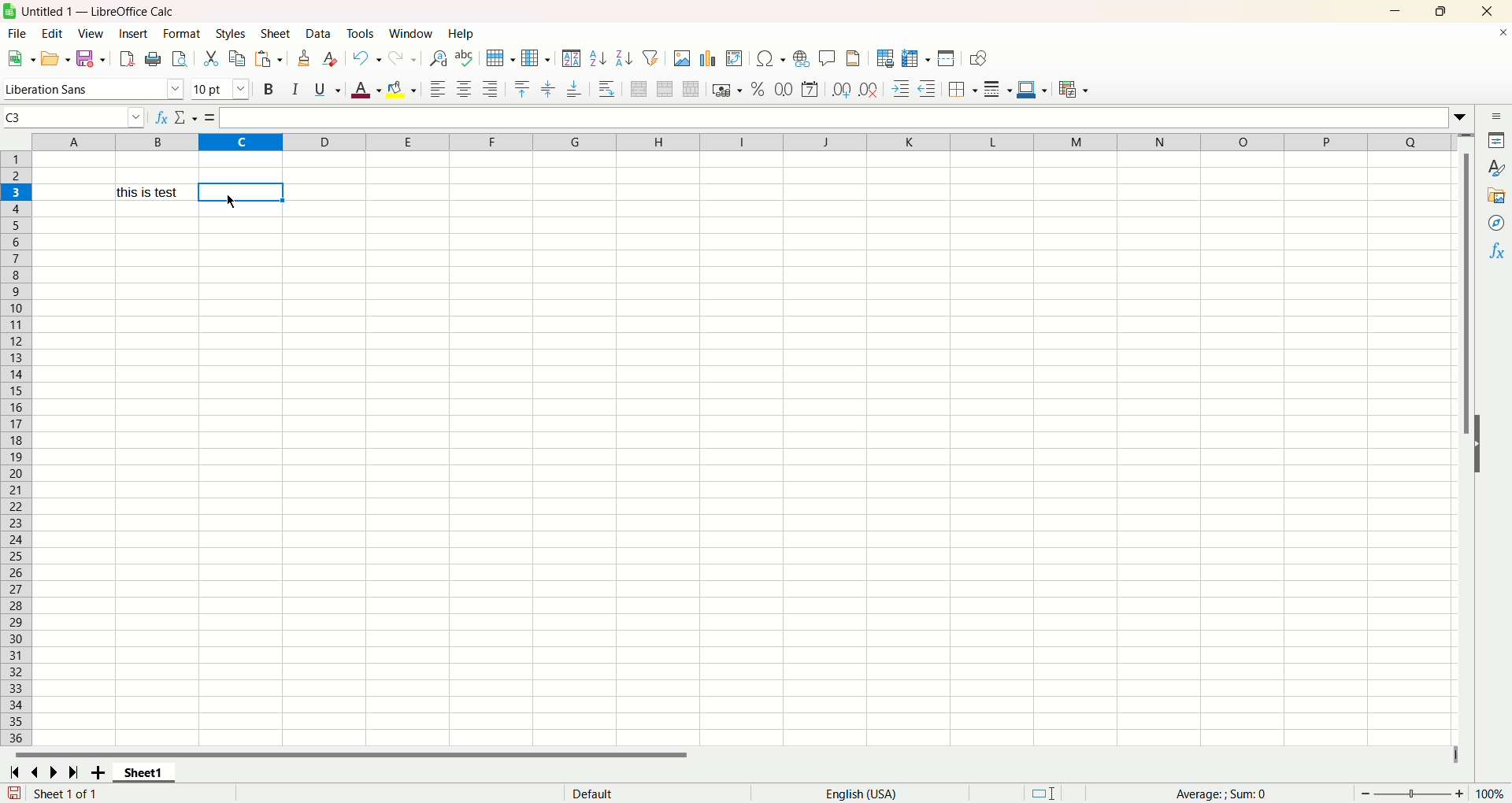 Image resolution: width=1512 pixels, height=803 pixels. I want to click on previous sheet, so click(37, 773).